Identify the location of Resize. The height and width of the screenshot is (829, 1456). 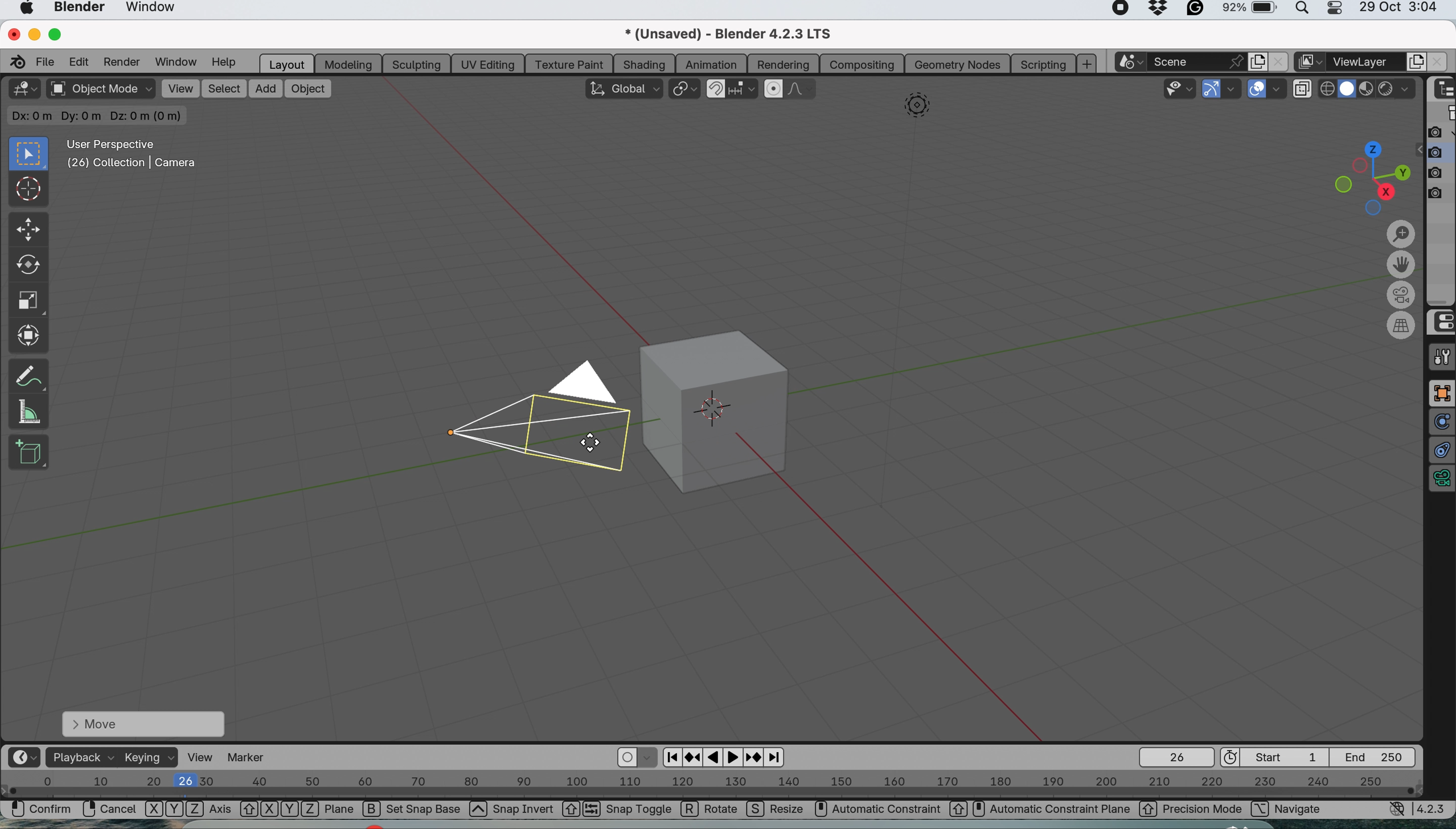
(777, 811).